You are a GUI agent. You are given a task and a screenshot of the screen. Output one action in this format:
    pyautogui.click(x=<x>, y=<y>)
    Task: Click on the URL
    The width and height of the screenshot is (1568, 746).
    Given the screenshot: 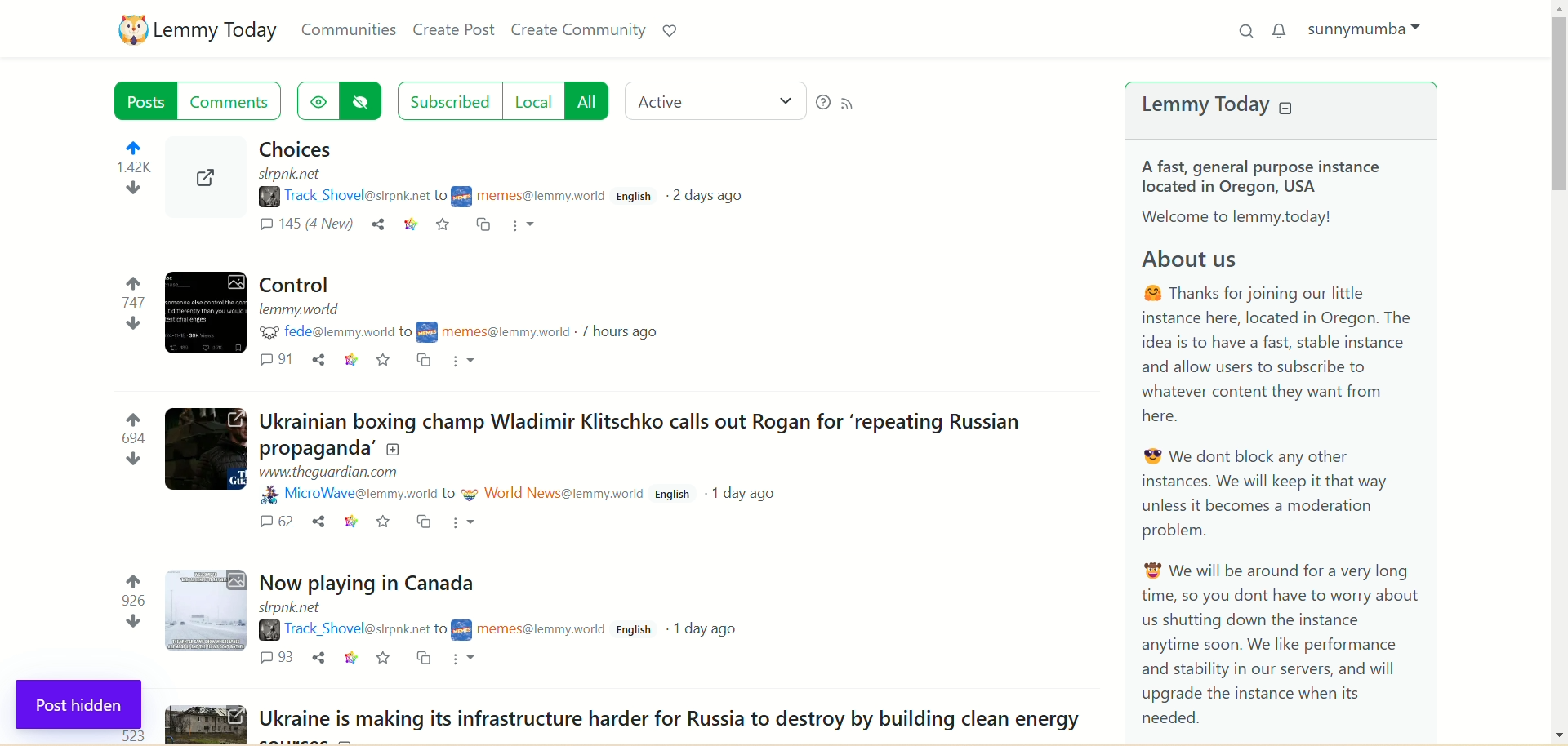 What is the action you would take?
    pyautogui.click(x=301, y=310)
    